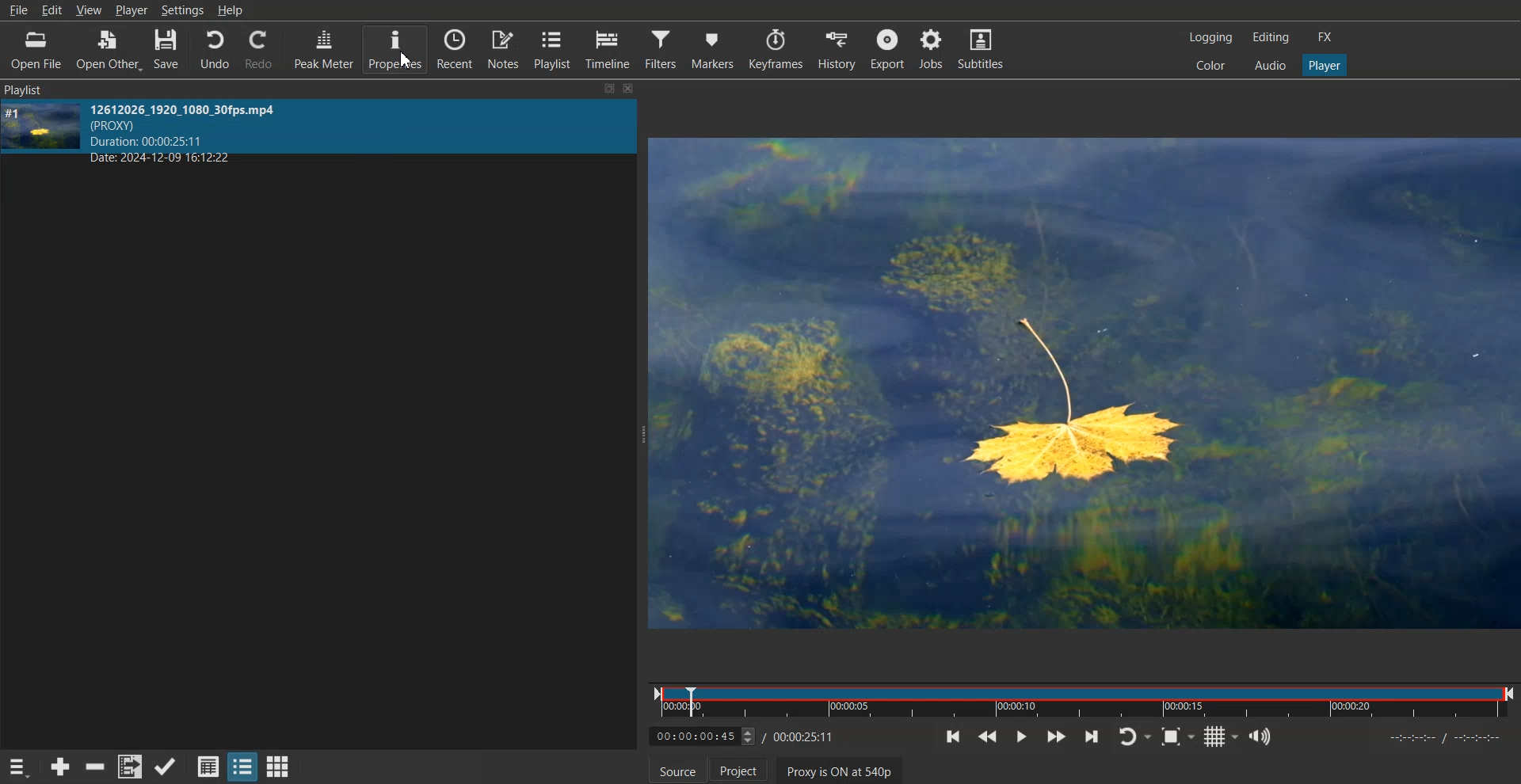 The image size is (1521, 784). What do you see at coordinates (36, 49) in the screenshot?
I see `Open File` at bounding box center [36, 49].